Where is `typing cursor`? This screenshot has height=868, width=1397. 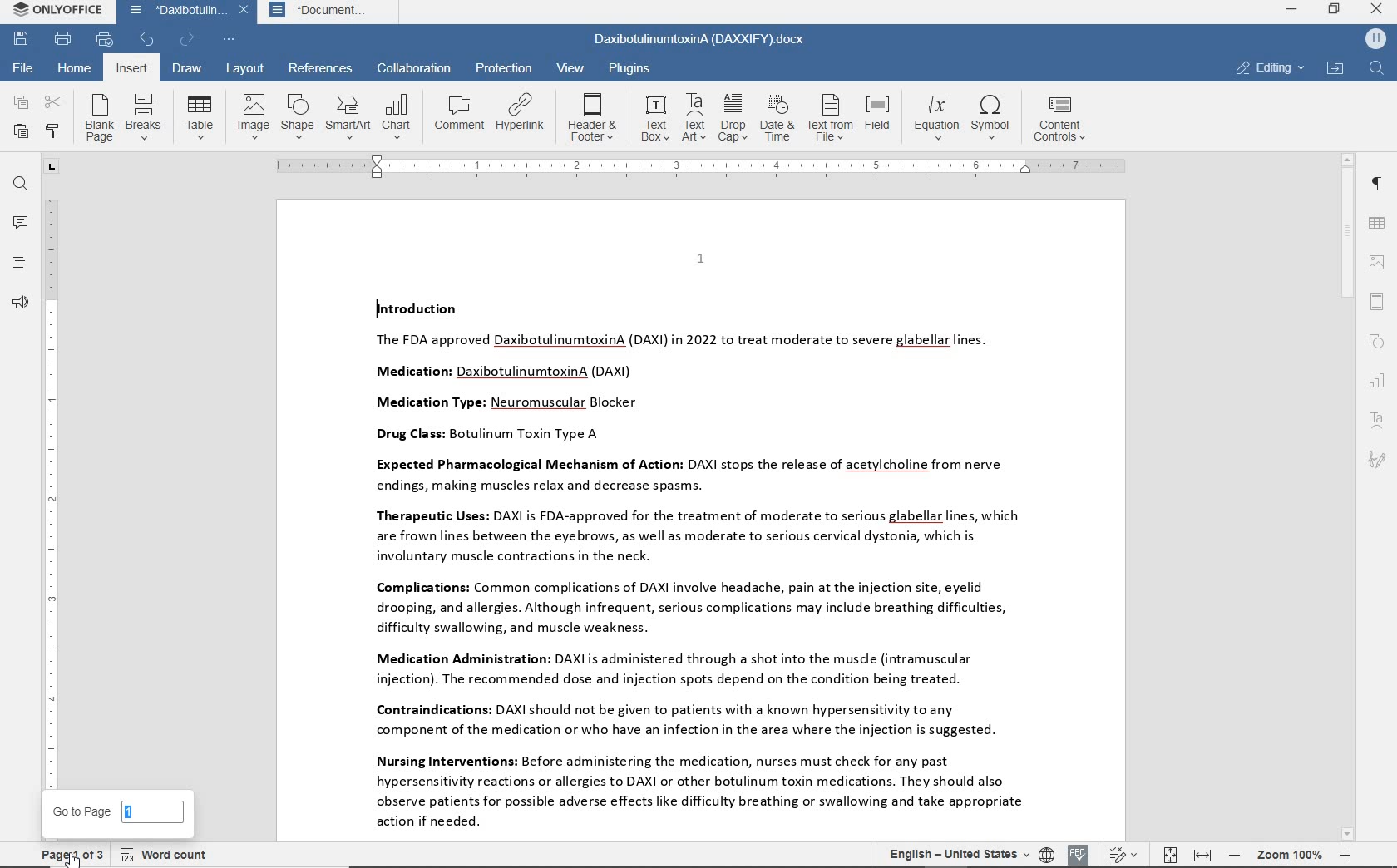 typing cursor is located at coordinates (376, 308).